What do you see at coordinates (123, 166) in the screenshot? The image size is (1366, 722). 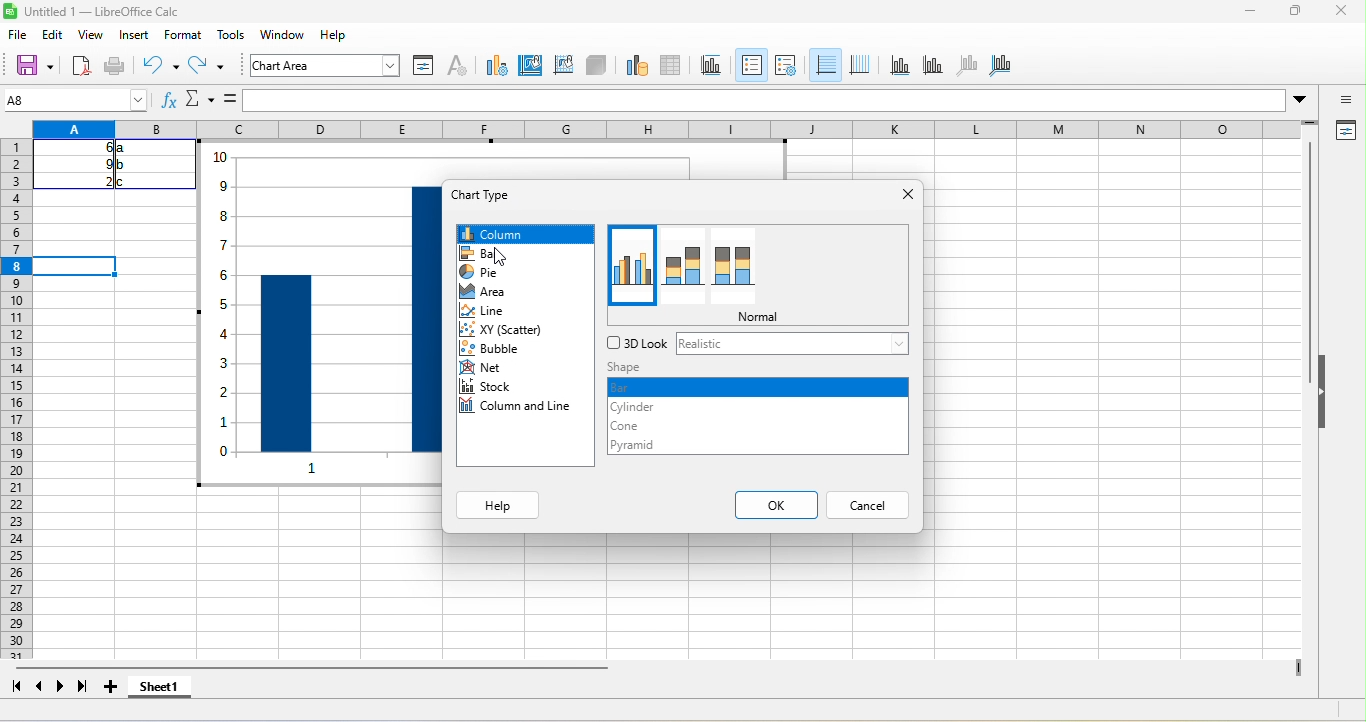 I see `b` at bounding box center [123, 166].